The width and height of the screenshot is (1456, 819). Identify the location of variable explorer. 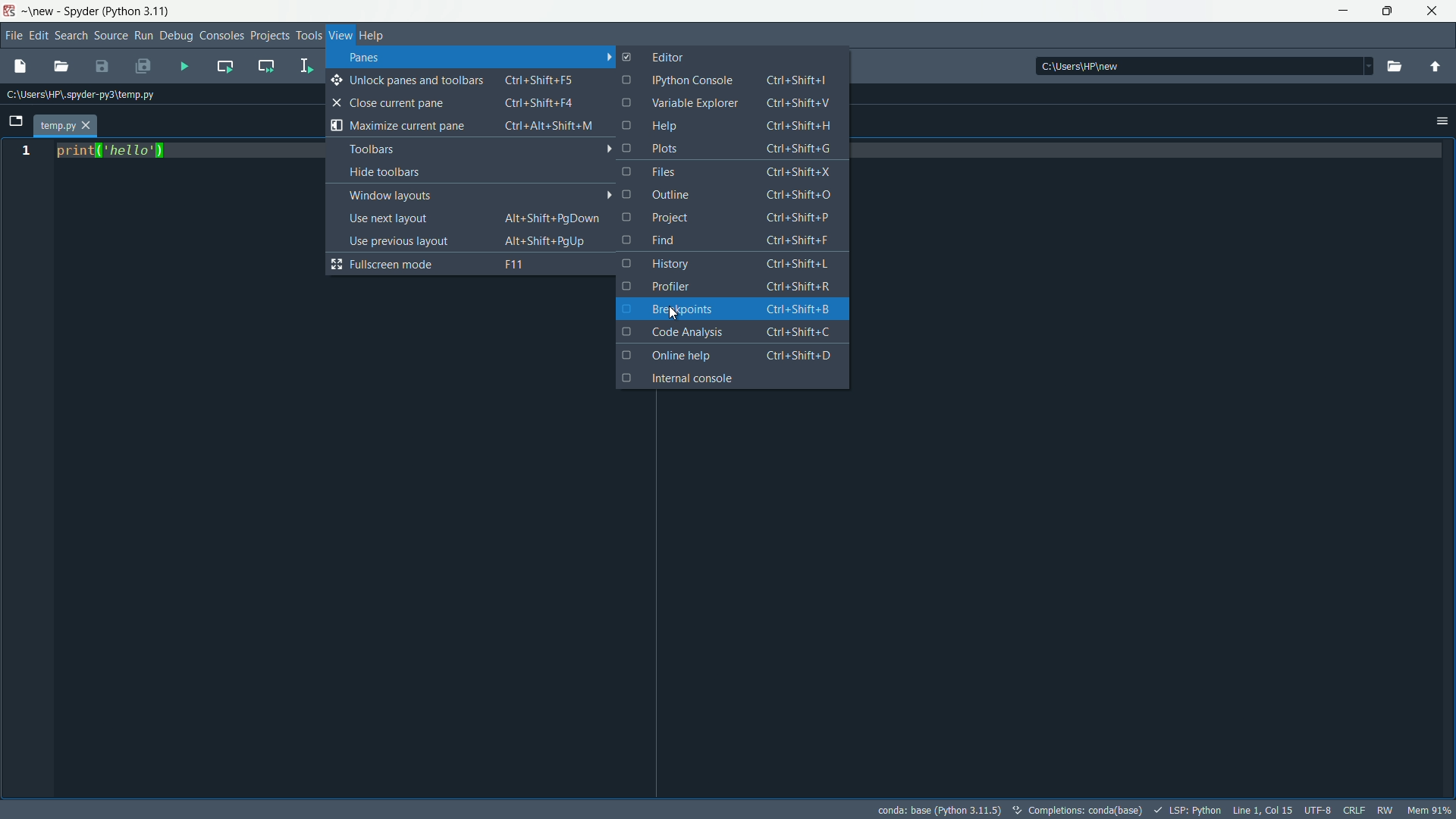
(730, 103).